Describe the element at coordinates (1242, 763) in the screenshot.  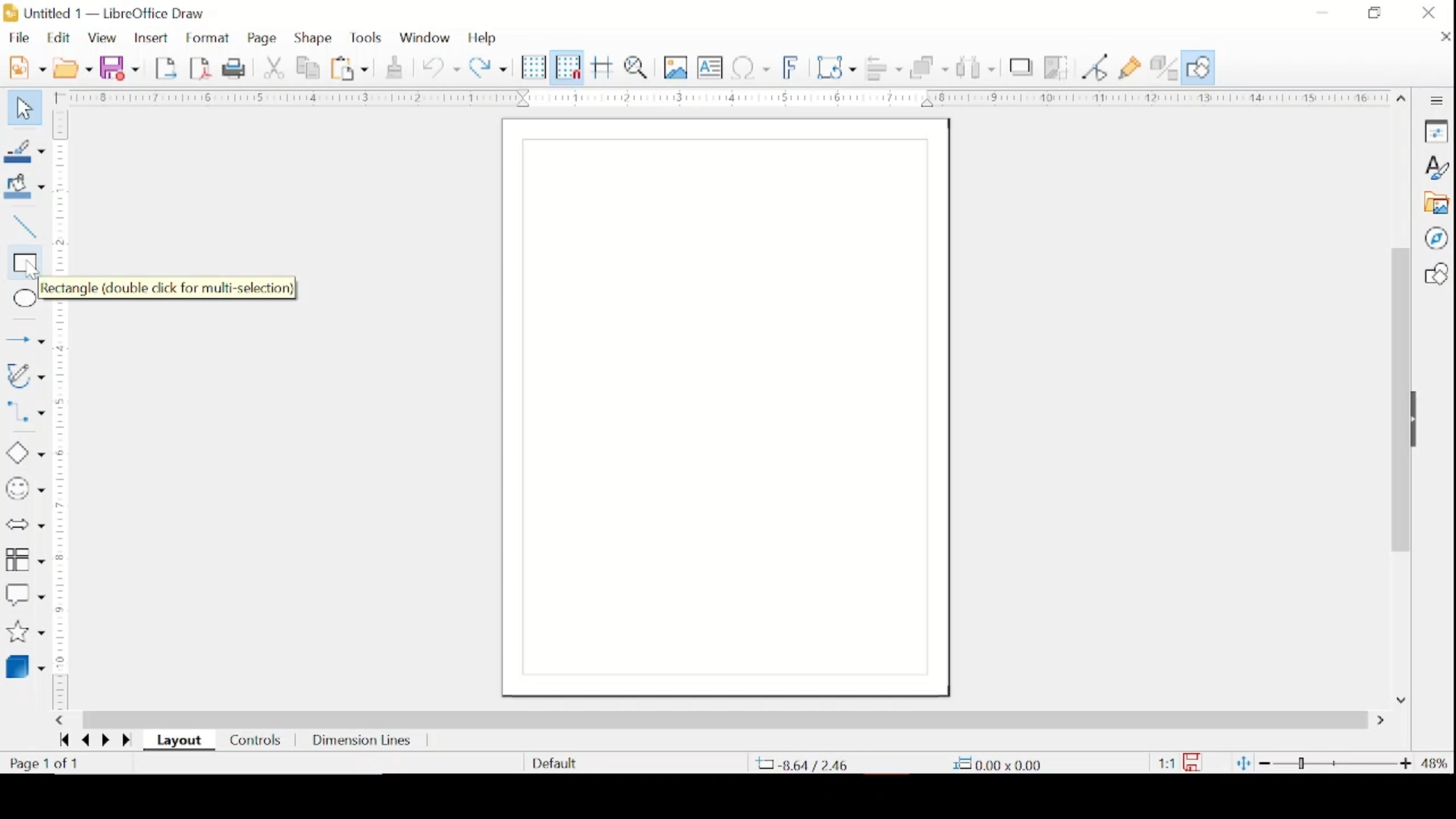
I see `fit to current window` at that location.